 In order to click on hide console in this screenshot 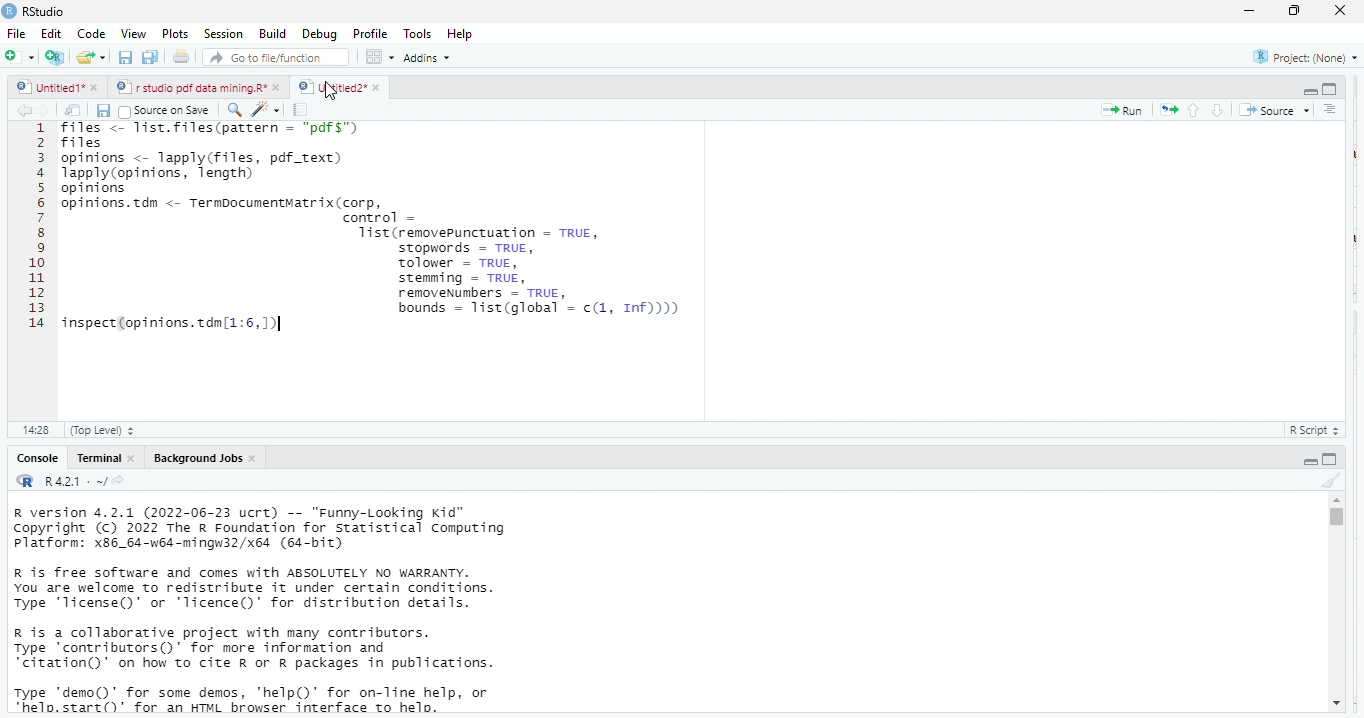, I will do `click(1330, 89)`.